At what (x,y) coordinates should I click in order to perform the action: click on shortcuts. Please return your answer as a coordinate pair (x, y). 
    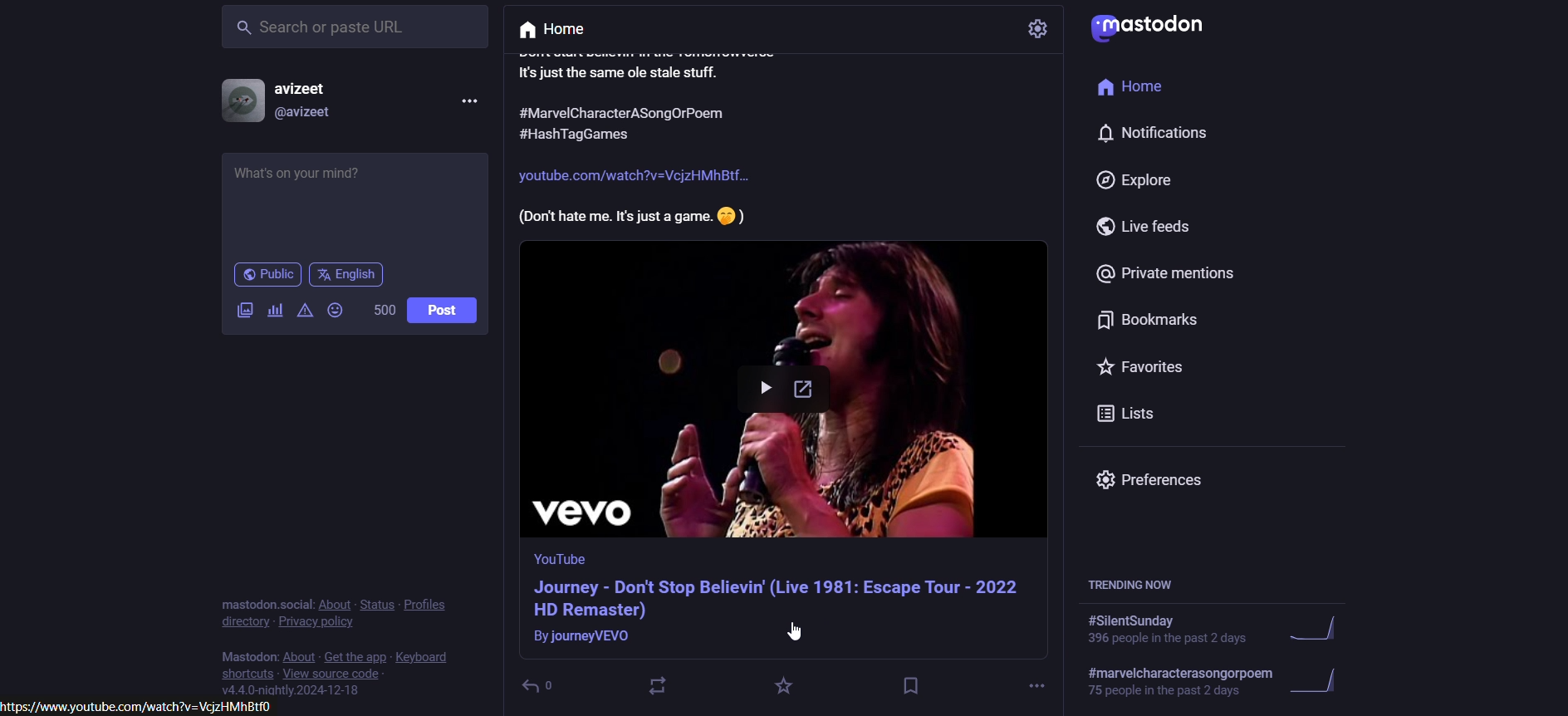
    Looking at the image, I should click on (246, 674).